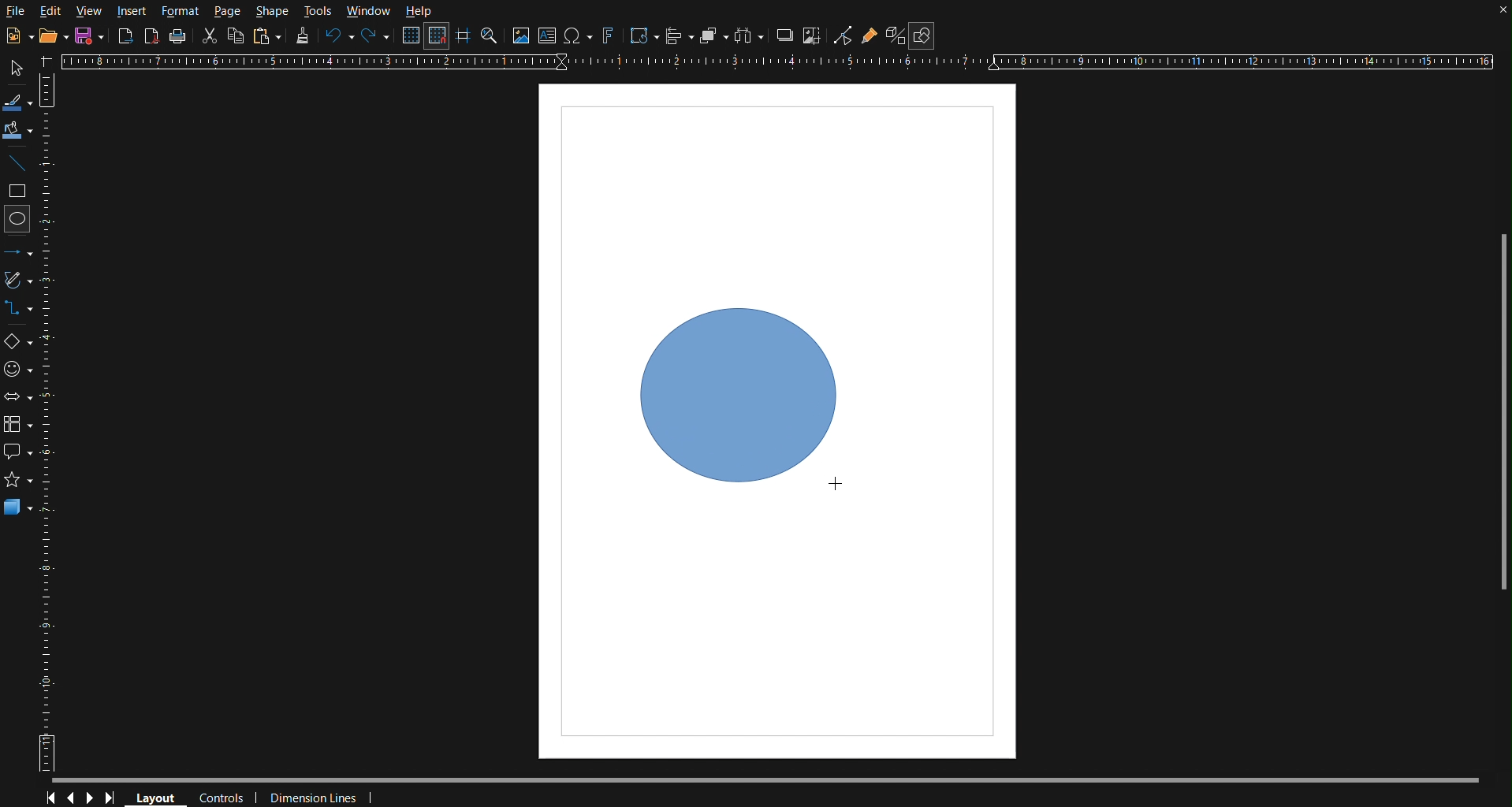 Image resolution: width=1512 pixels, height=807 pixels. Describe the element at coordinates (303, 38) in the screenshot. I see `Formatting` at that location.